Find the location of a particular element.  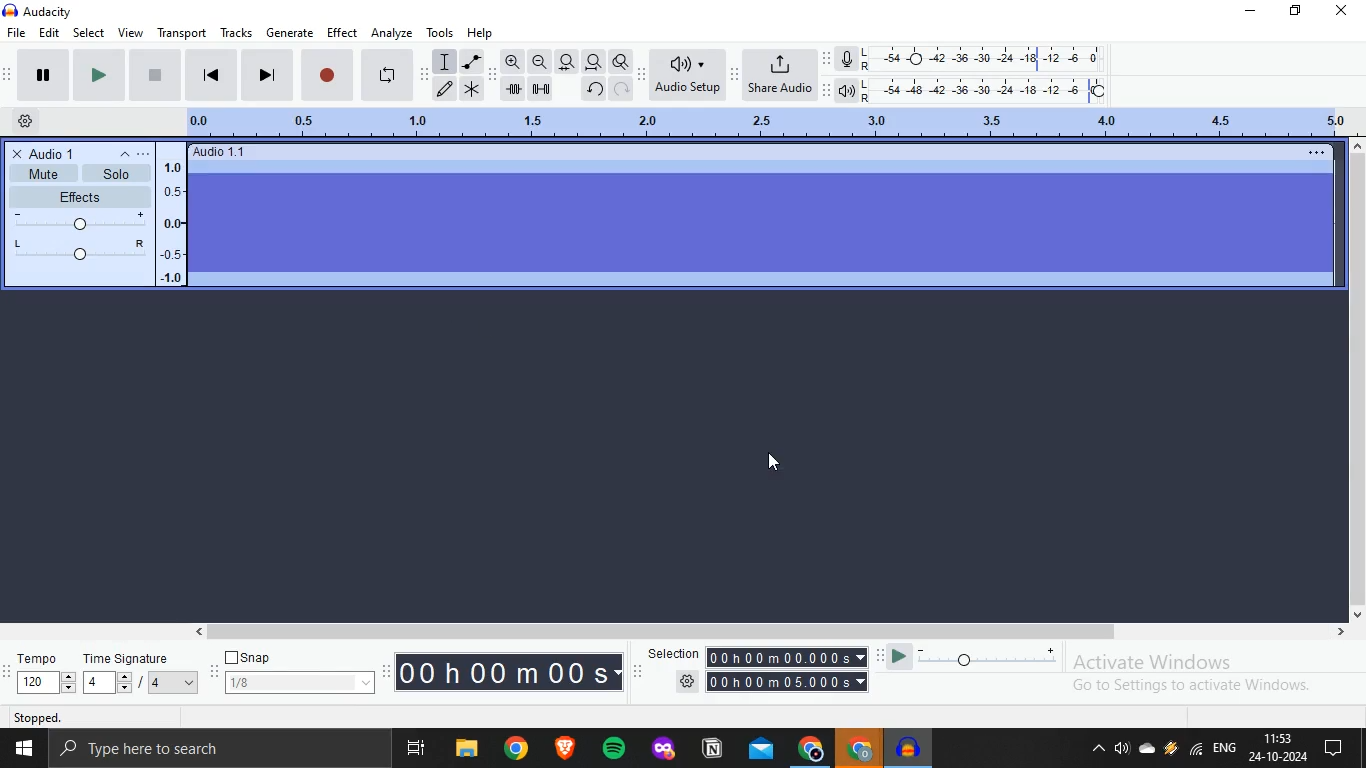

Chrome is located at coordinates (809, 750).